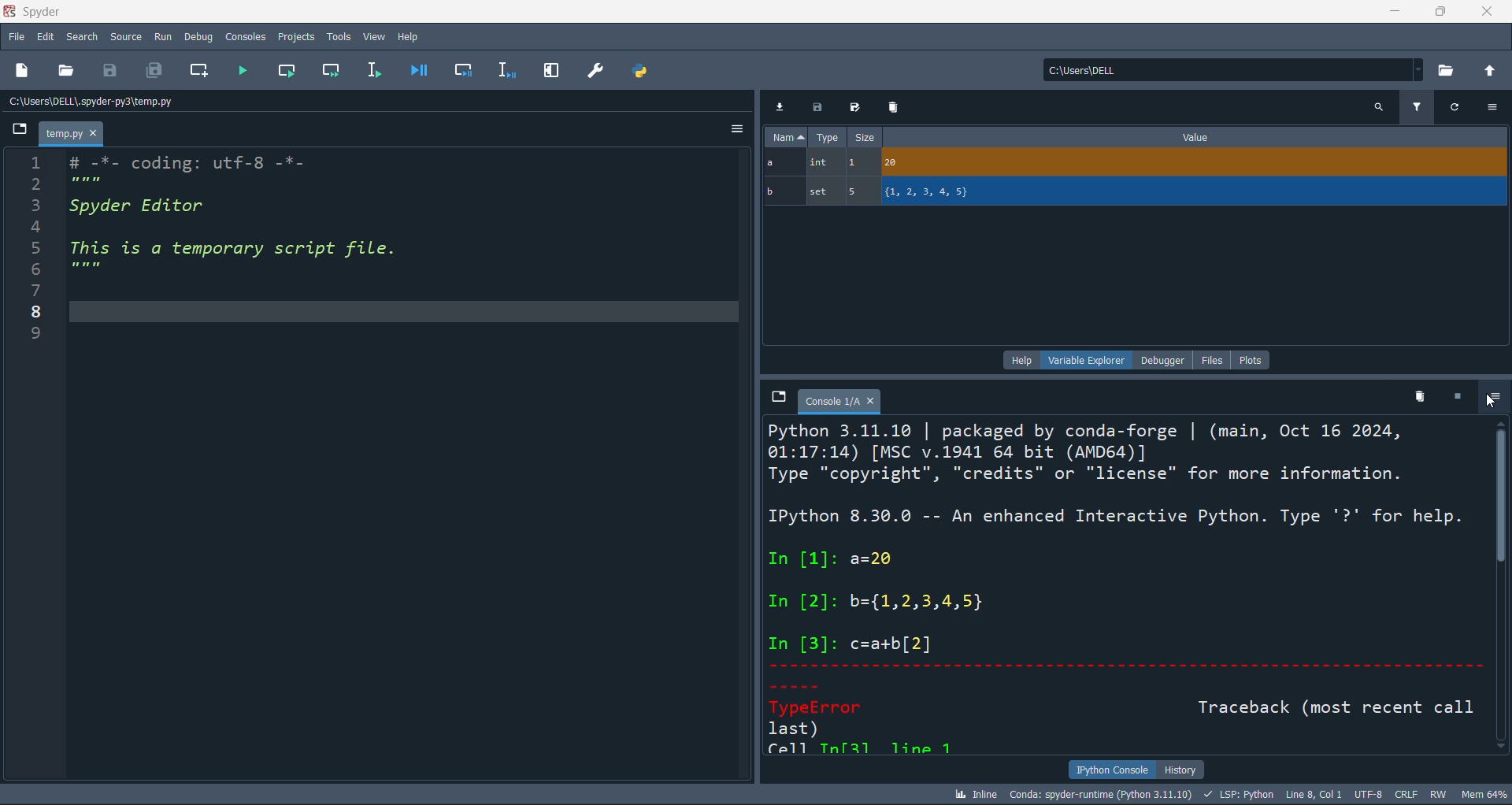 Image resolution: width=1512 pixels, height=805 pixels. What do you see at coordinates (1317, 794) in the screenshot?
I see `LINE 8, COL 1` at bounding box center [1317, 794].